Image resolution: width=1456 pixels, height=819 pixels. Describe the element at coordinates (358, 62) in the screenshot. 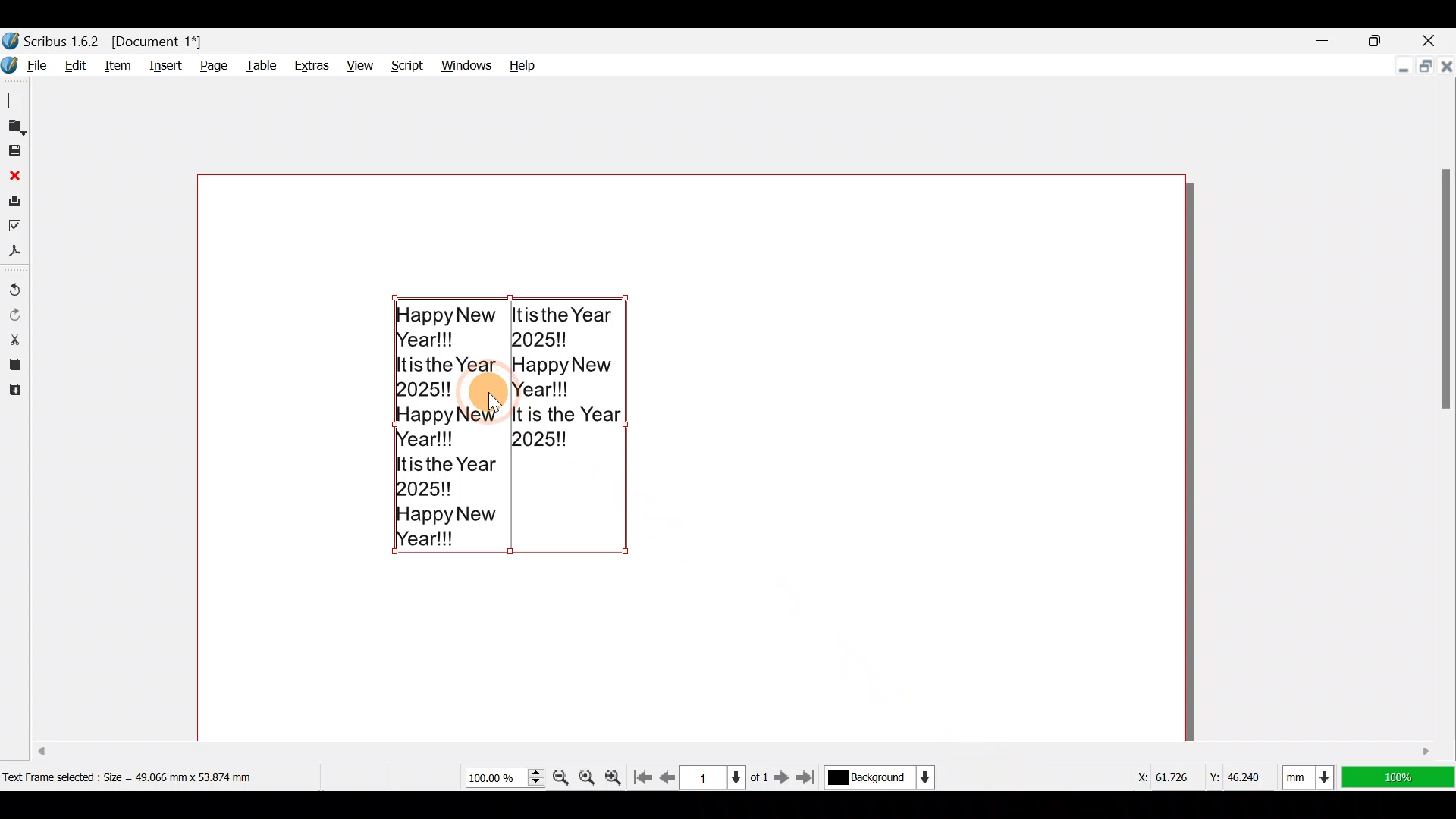

I see `View` at that location.